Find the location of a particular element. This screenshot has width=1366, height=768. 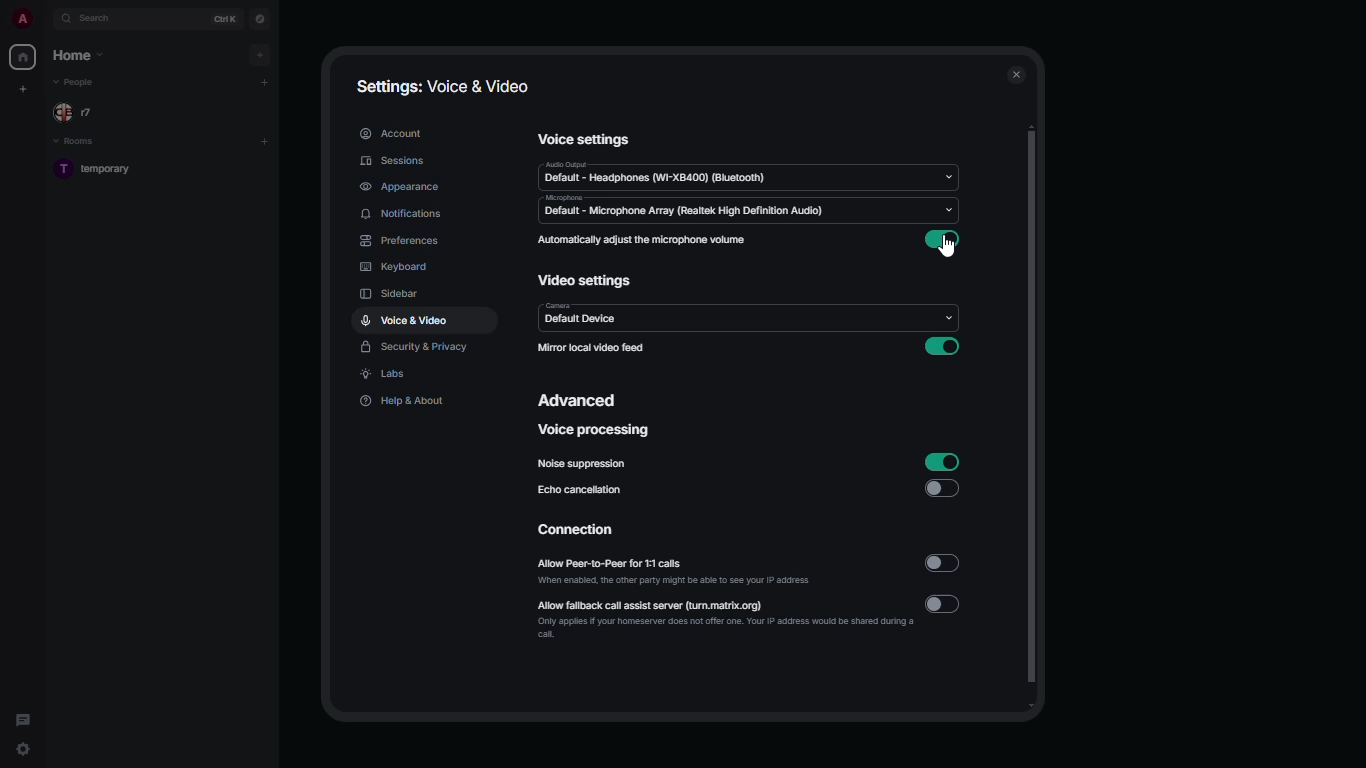

drop down is located at coordinates (947, 317).